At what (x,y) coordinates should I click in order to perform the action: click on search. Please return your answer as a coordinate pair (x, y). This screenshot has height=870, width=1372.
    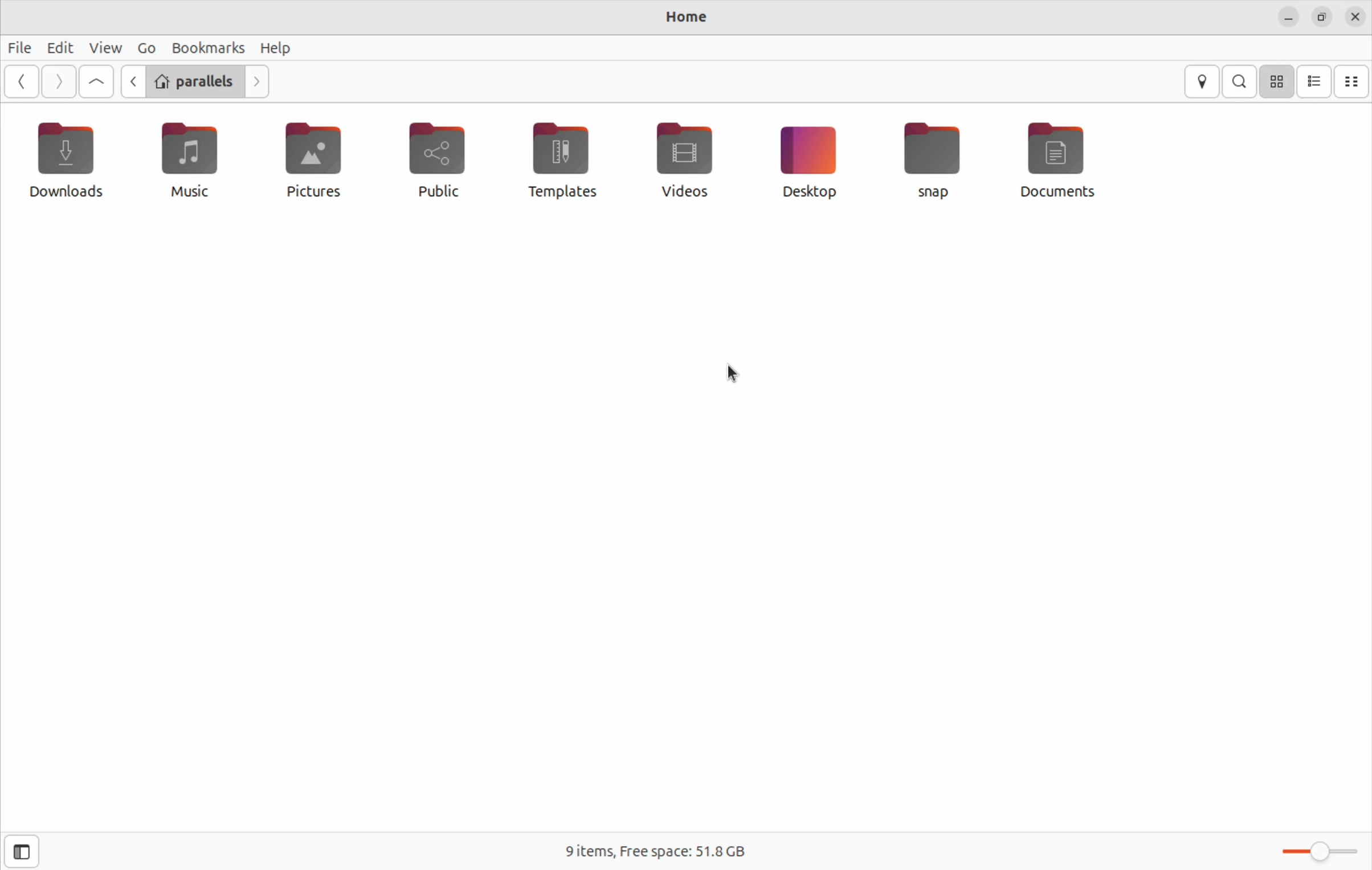
    Looking at the image, I should click on (1243, 80).